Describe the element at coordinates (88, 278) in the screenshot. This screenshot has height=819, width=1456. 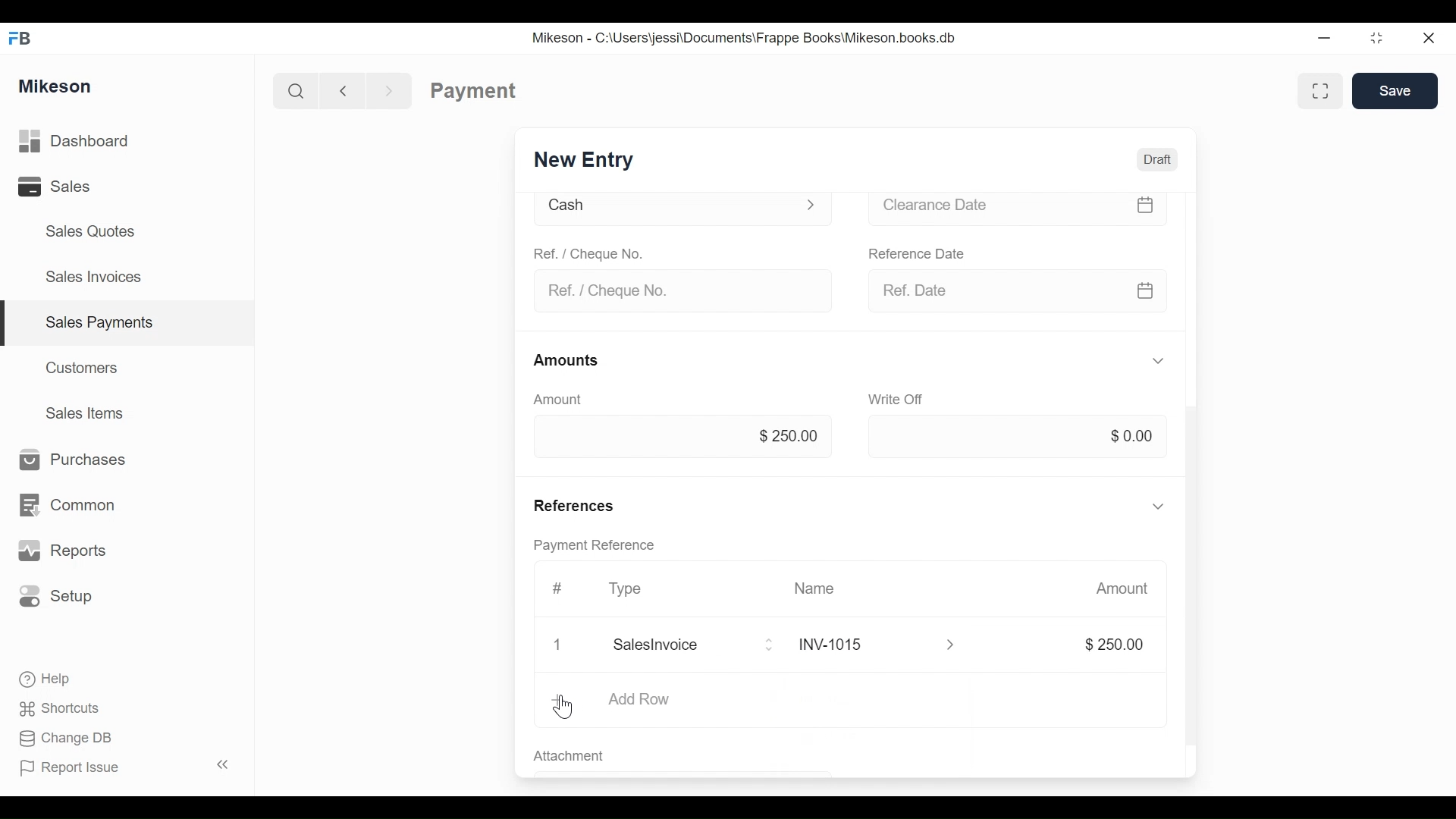
I see `Sales Invoices` at that location.